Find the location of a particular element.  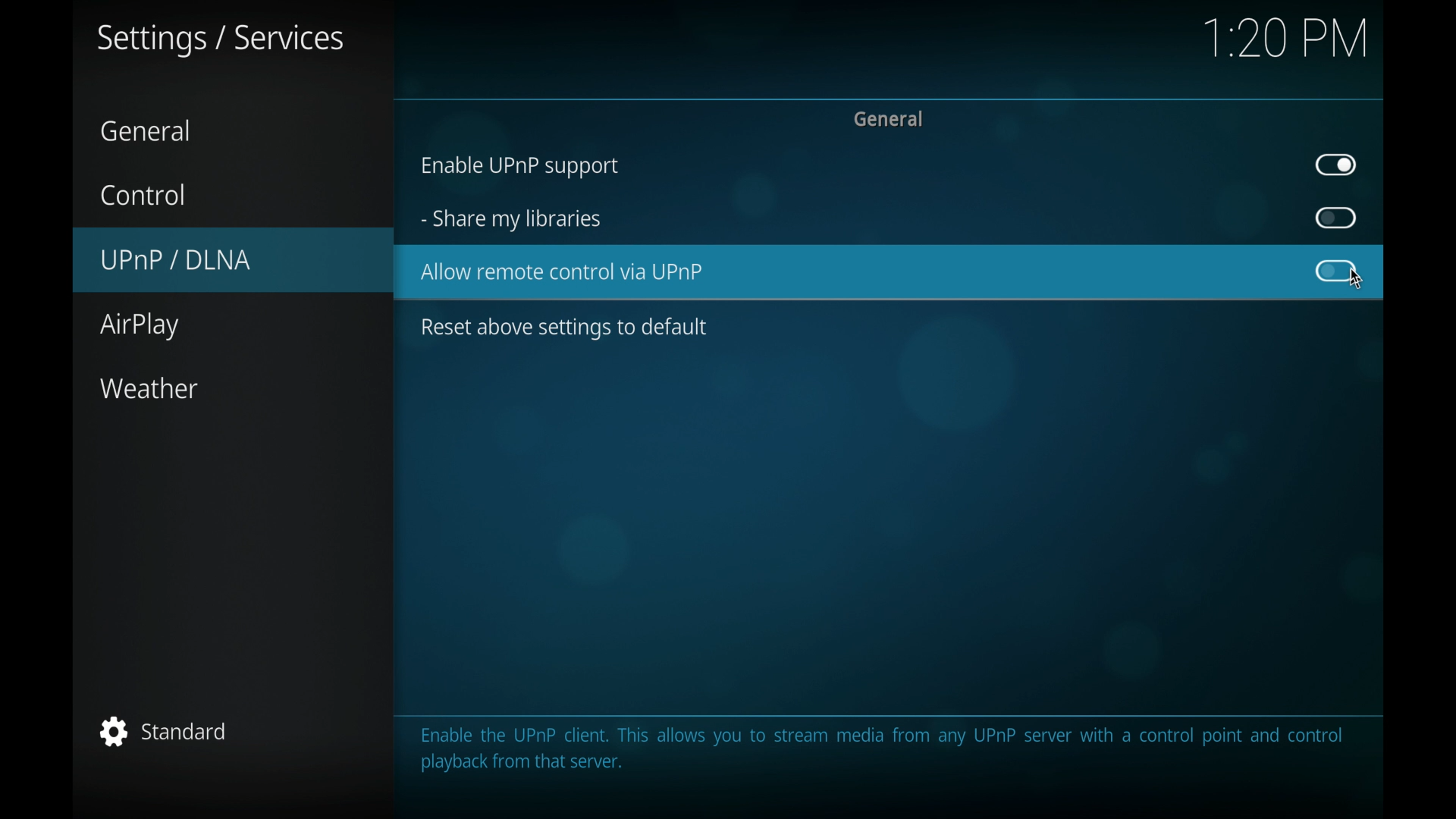

UPnP/DLNA is located at coordinates (233, 258).